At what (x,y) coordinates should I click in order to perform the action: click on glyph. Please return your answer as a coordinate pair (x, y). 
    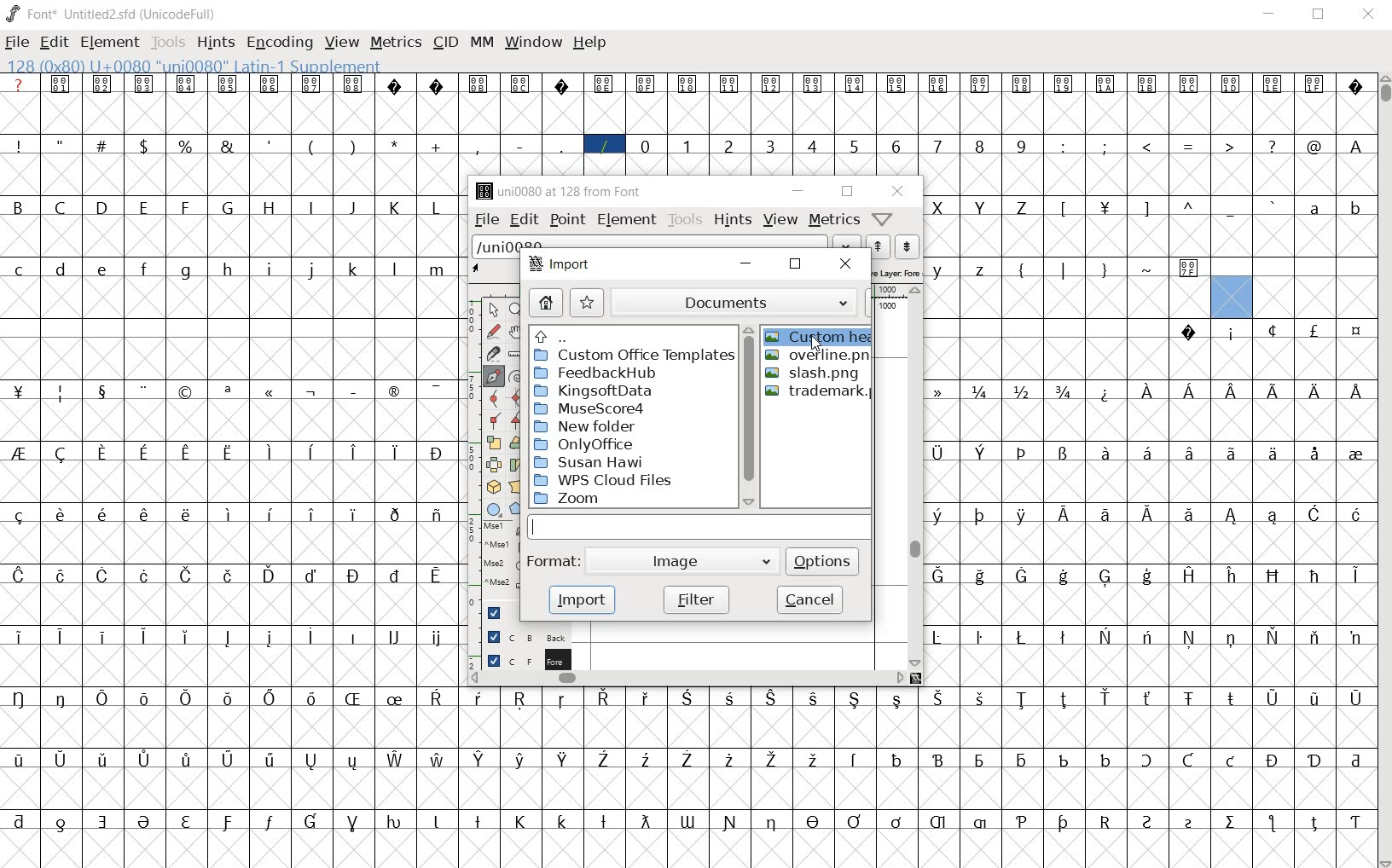
    Looking at the image, I should click on (20, 821).